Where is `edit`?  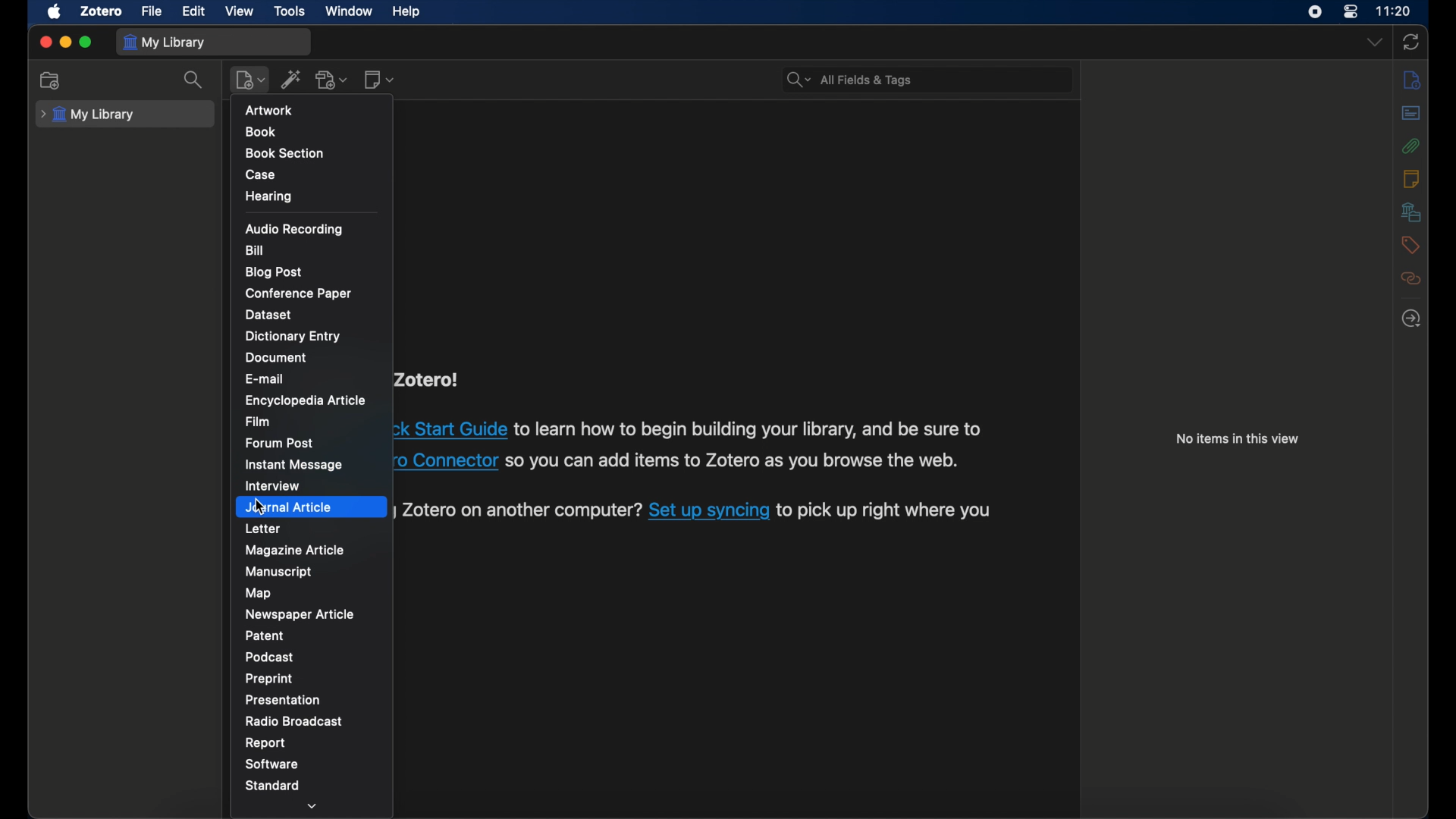 edit is located at coordinates (196, 12).